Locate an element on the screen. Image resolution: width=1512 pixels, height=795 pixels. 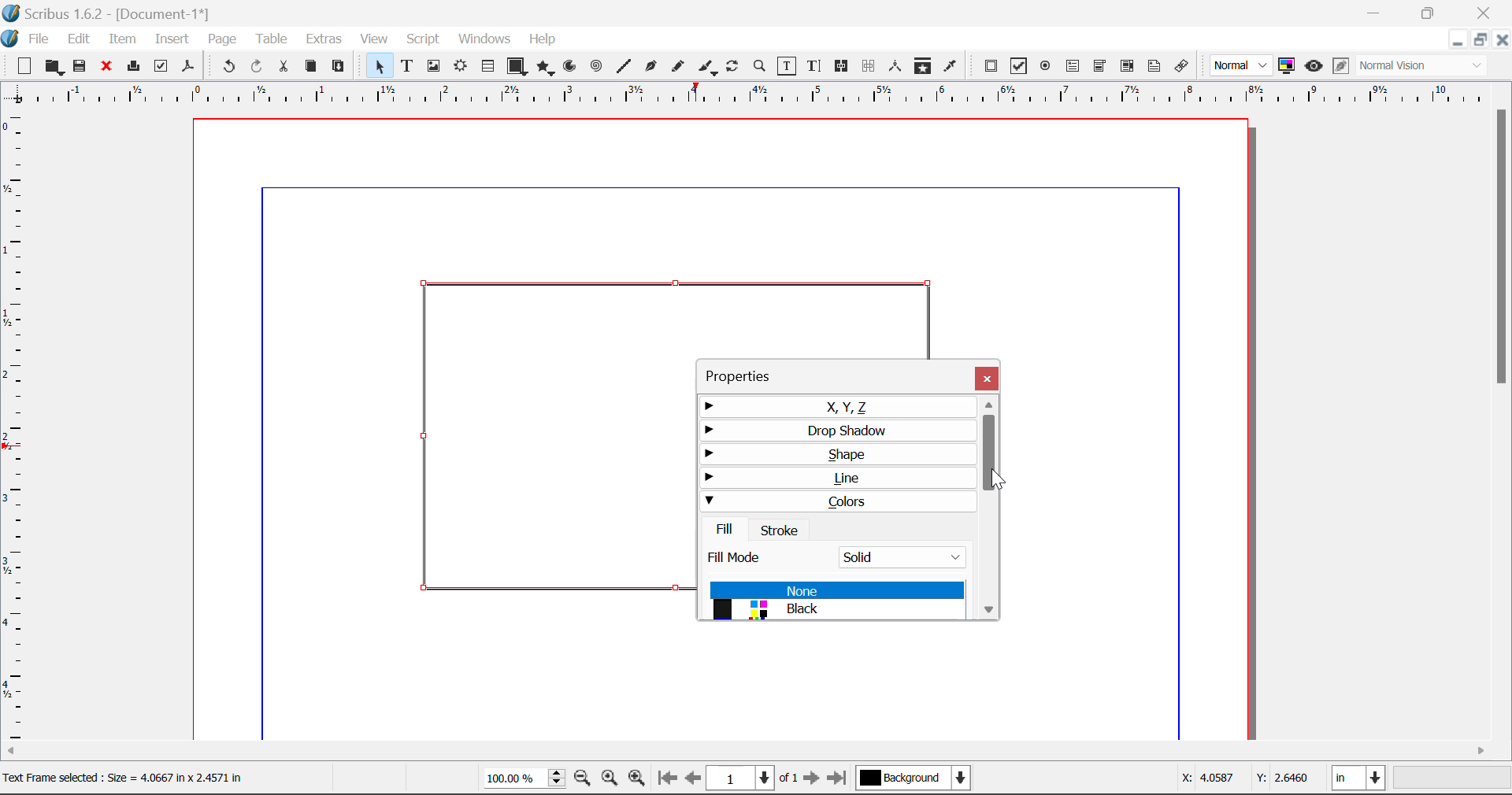
Zoom is located at coordinates (761, 65).